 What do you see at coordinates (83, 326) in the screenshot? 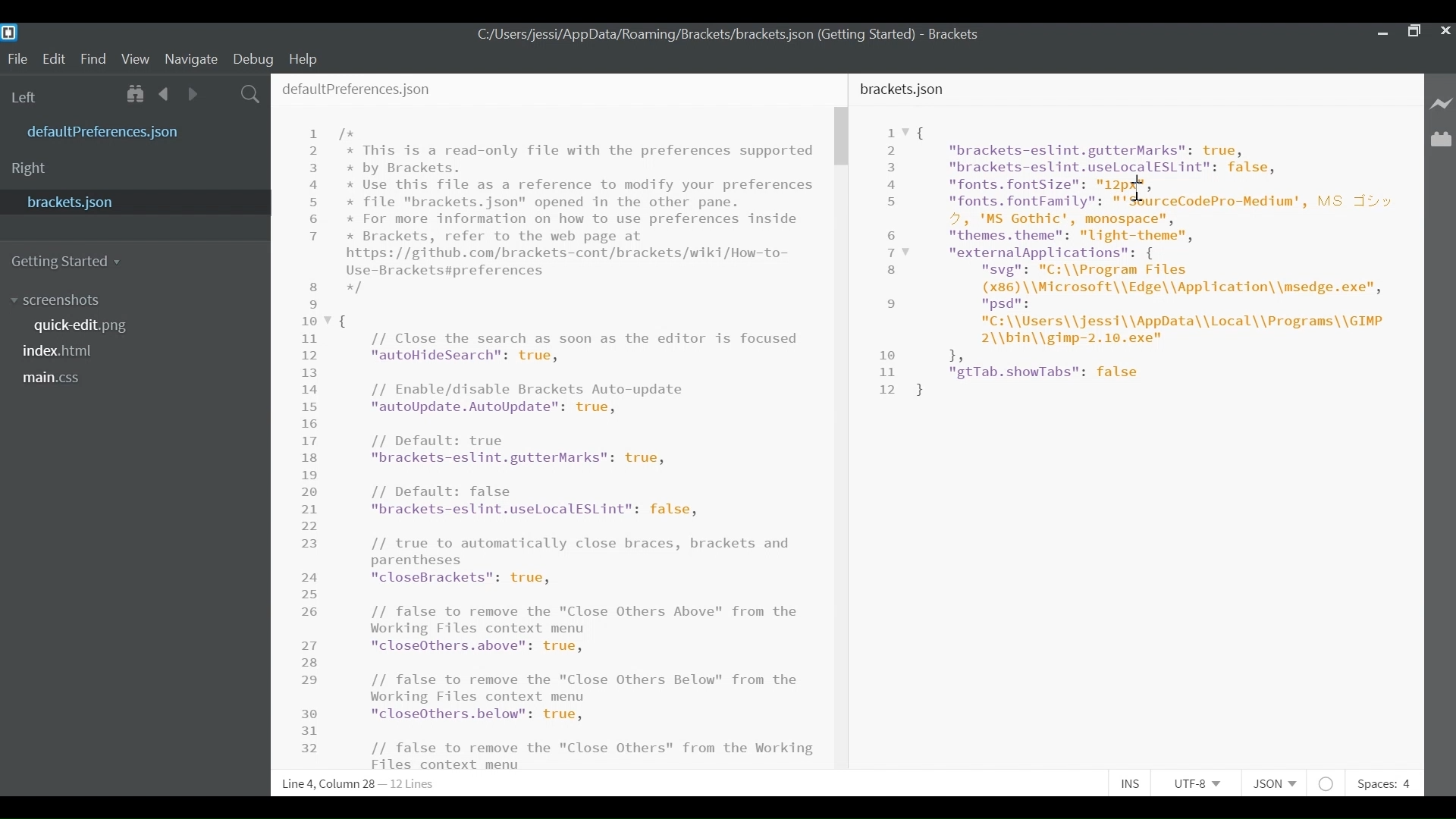
I see `quick-edit.png File` at bounding box center [83, 326].